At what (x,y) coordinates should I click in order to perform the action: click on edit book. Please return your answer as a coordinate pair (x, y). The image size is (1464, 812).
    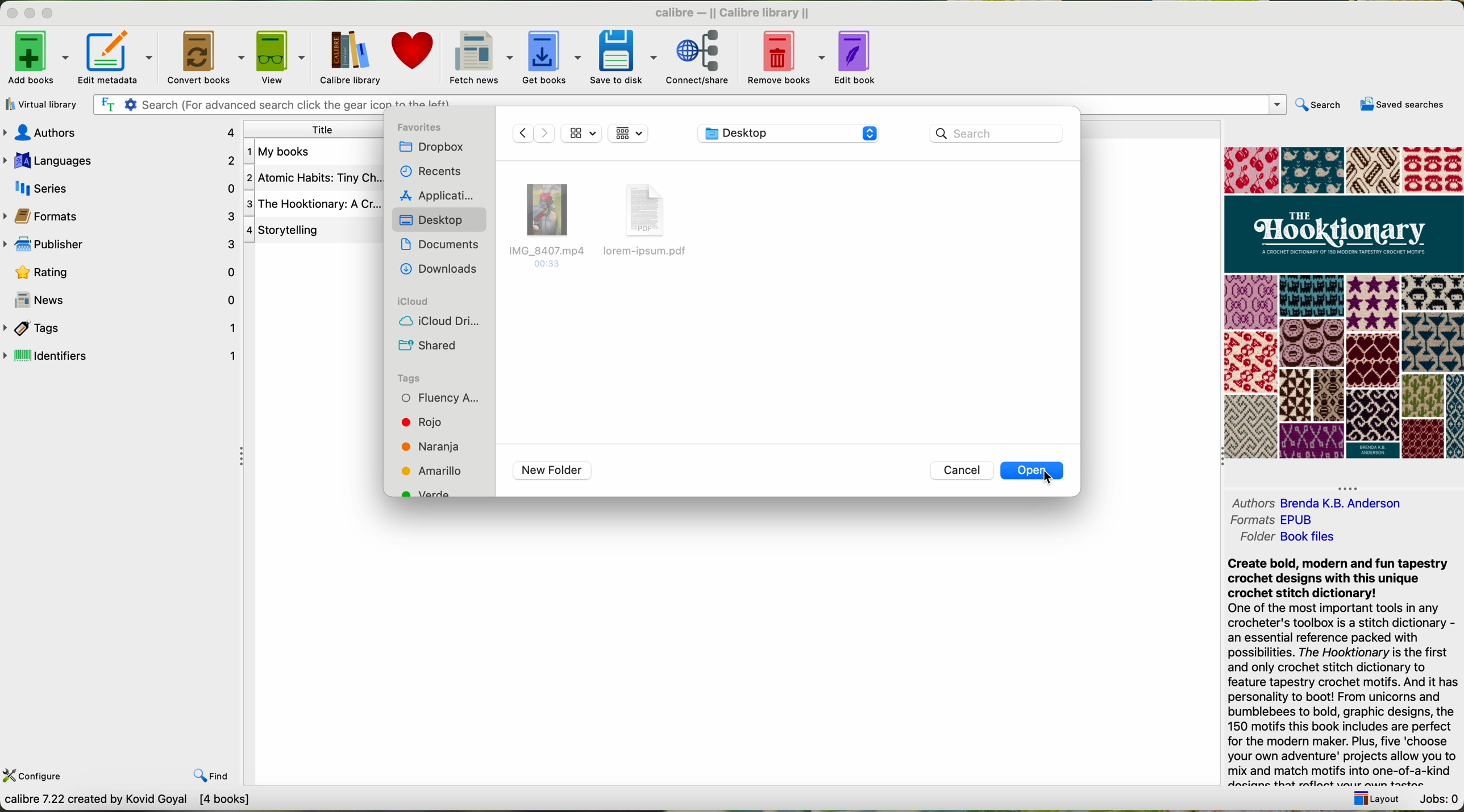
    Looking at the image, I should click on (858, 57).